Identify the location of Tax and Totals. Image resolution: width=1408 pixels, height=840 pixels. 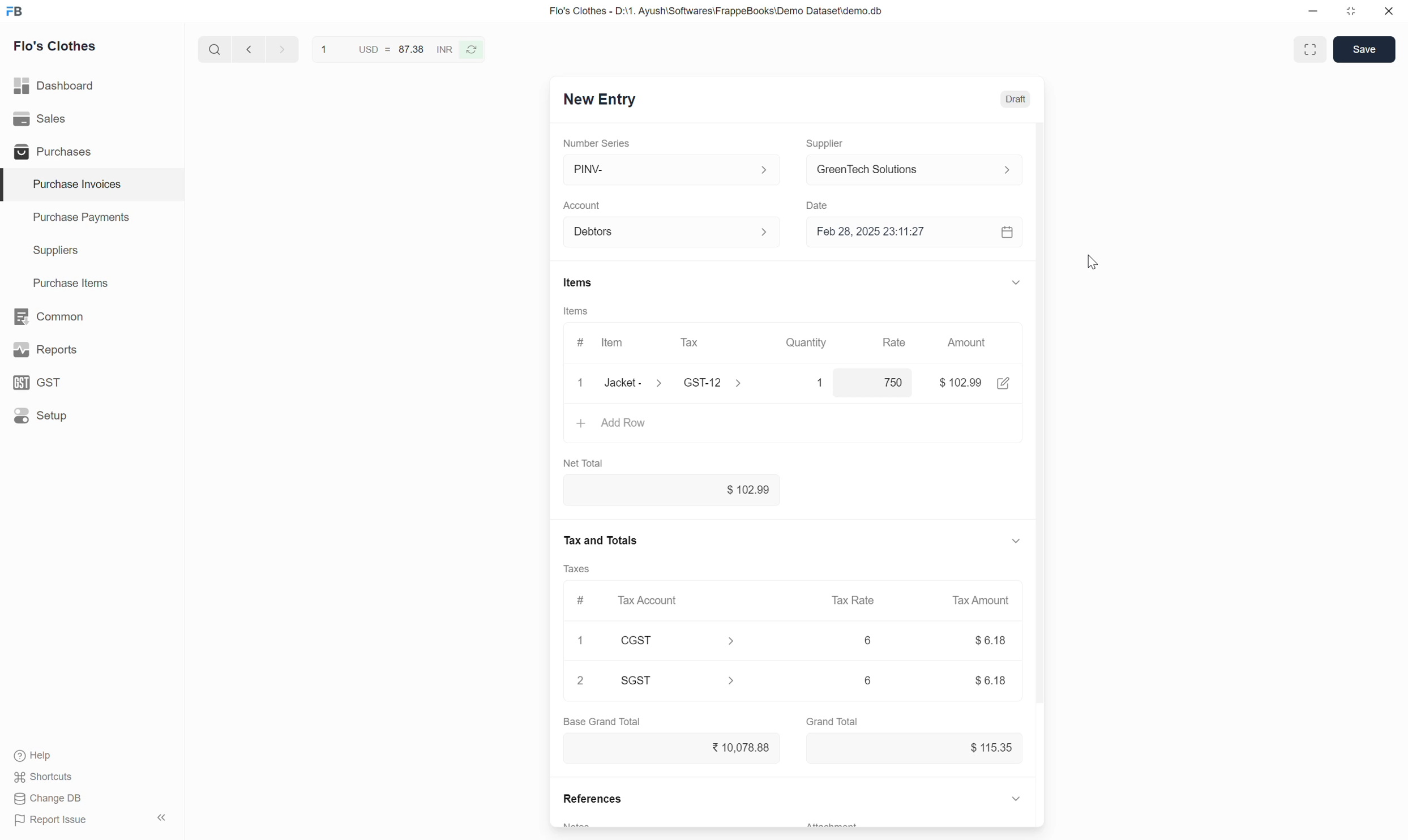
(599, 541).